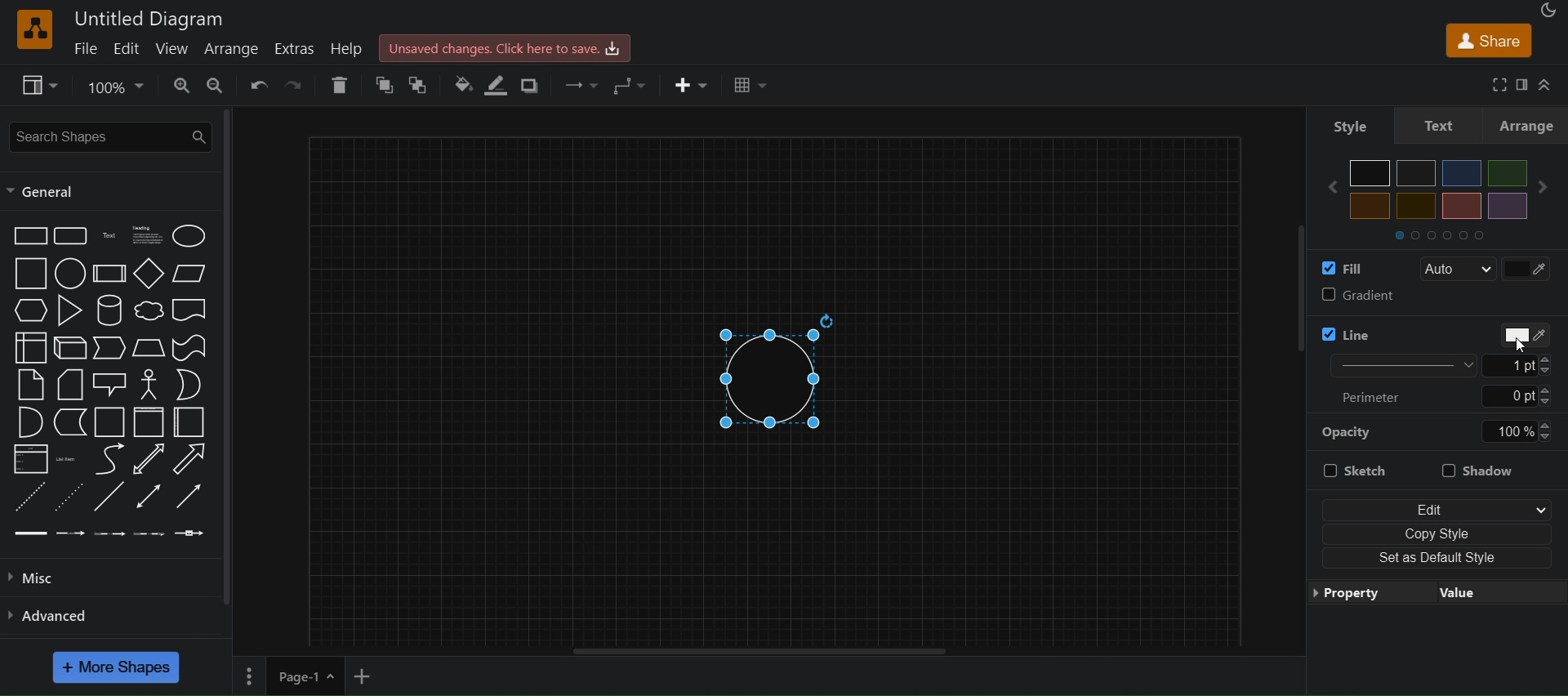 The image size is (1568, 696). Describe the element at coordinates (1517, 431) in the screenshot. I see `100%` at that location.